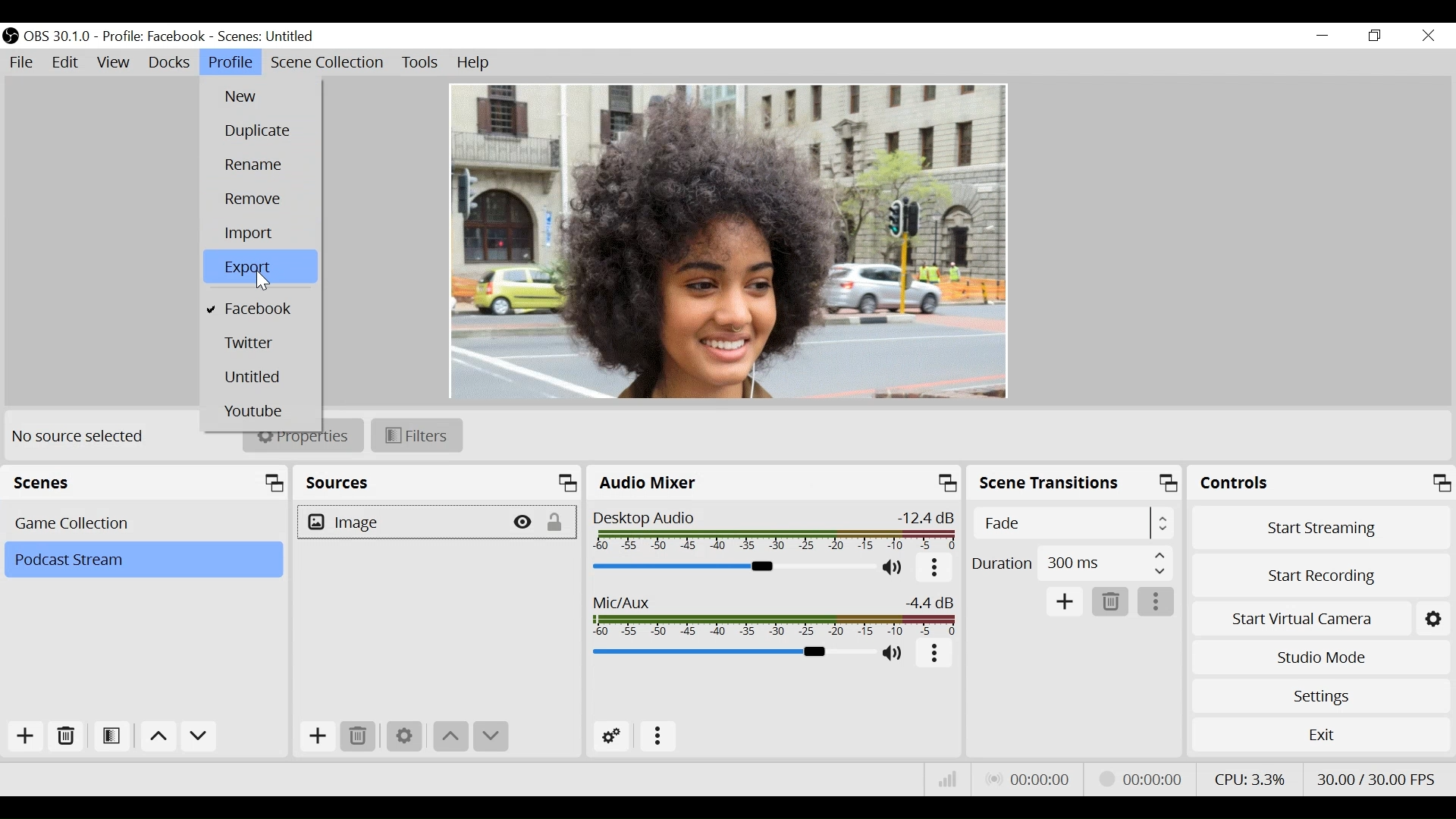 The width and height of the screenshot is (1456, 819). Describe the element at coordinates (265, 284) in the screenshot. I see `Cursor` at that location.